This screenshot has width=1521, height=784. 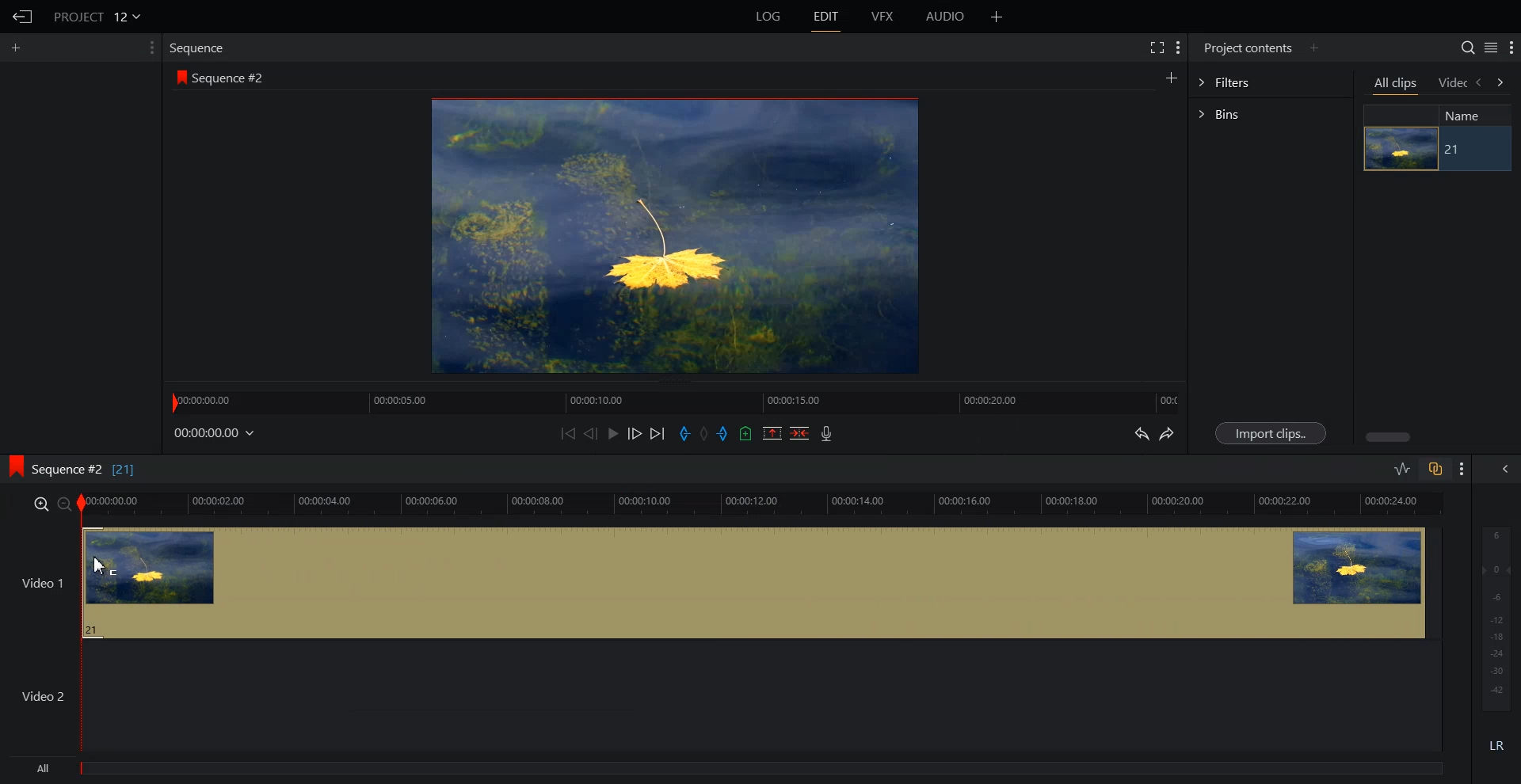 What do you see at coordinates (772, 432) in the screenshot?
I see `Remove the mark section` at bounding box center [772, 432].